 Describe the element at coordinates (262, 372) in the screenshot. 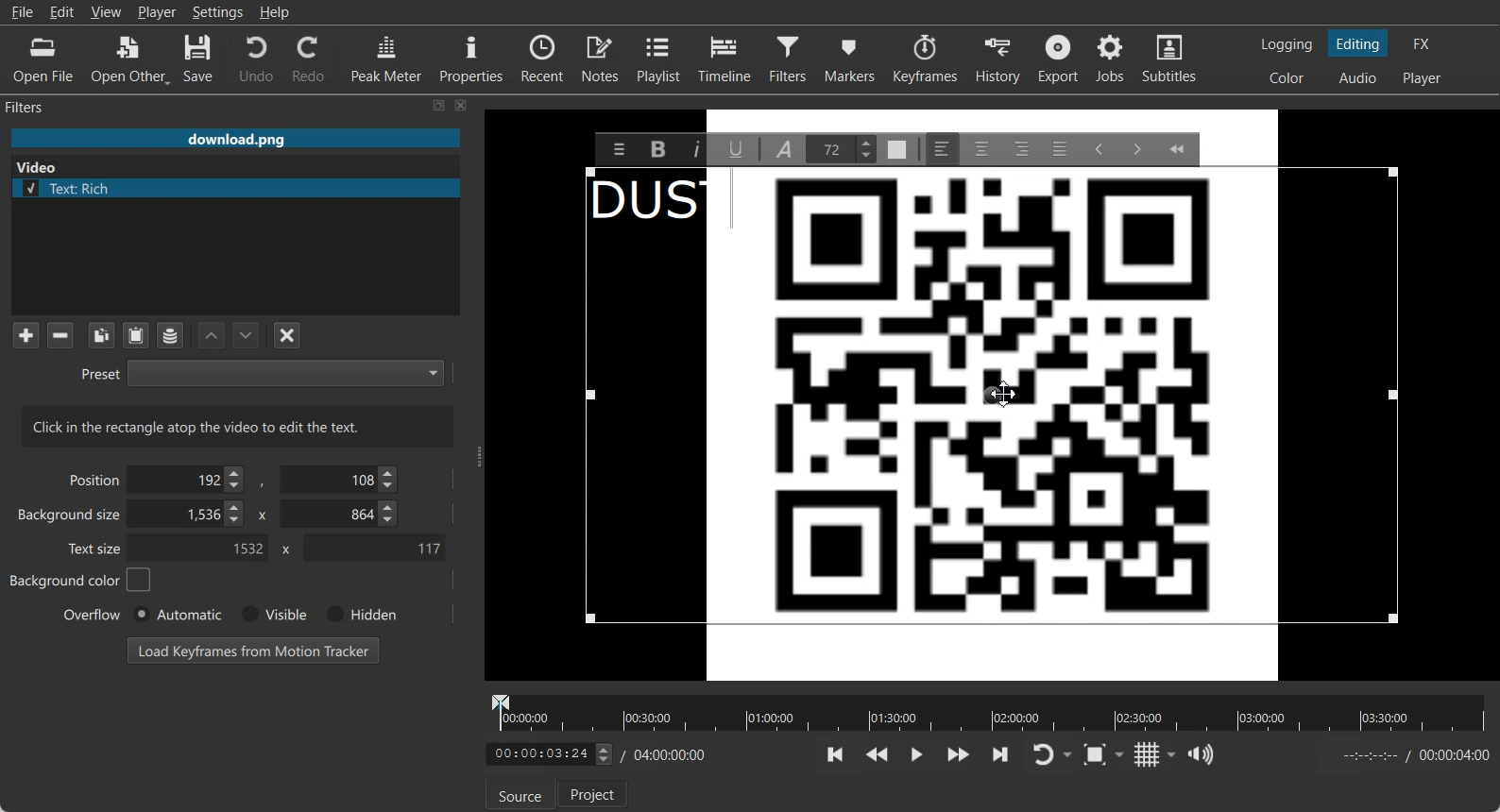

I see `Preset` at that location.